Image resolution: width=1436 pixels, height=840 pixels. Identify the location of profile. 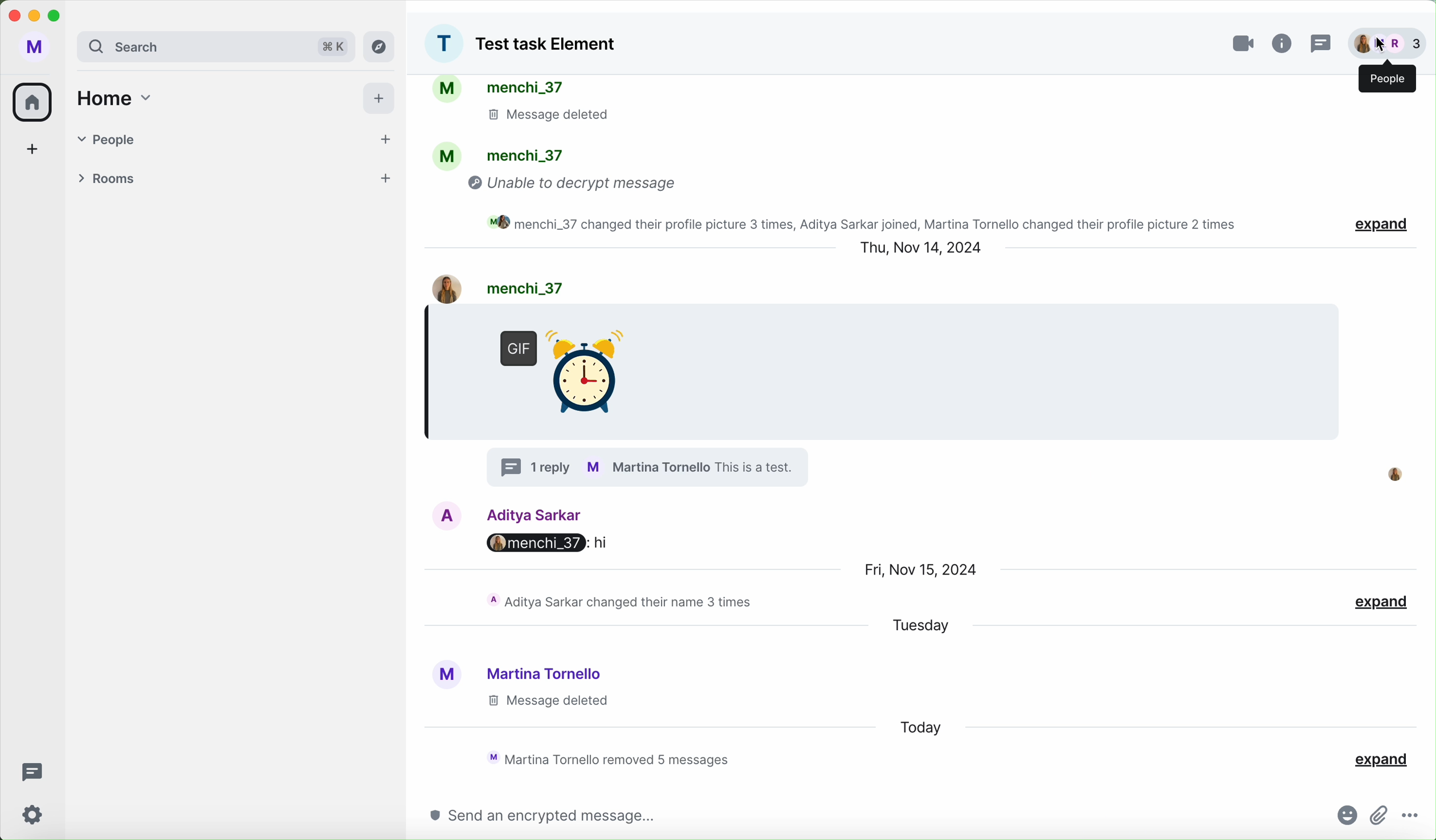
(648, 467).